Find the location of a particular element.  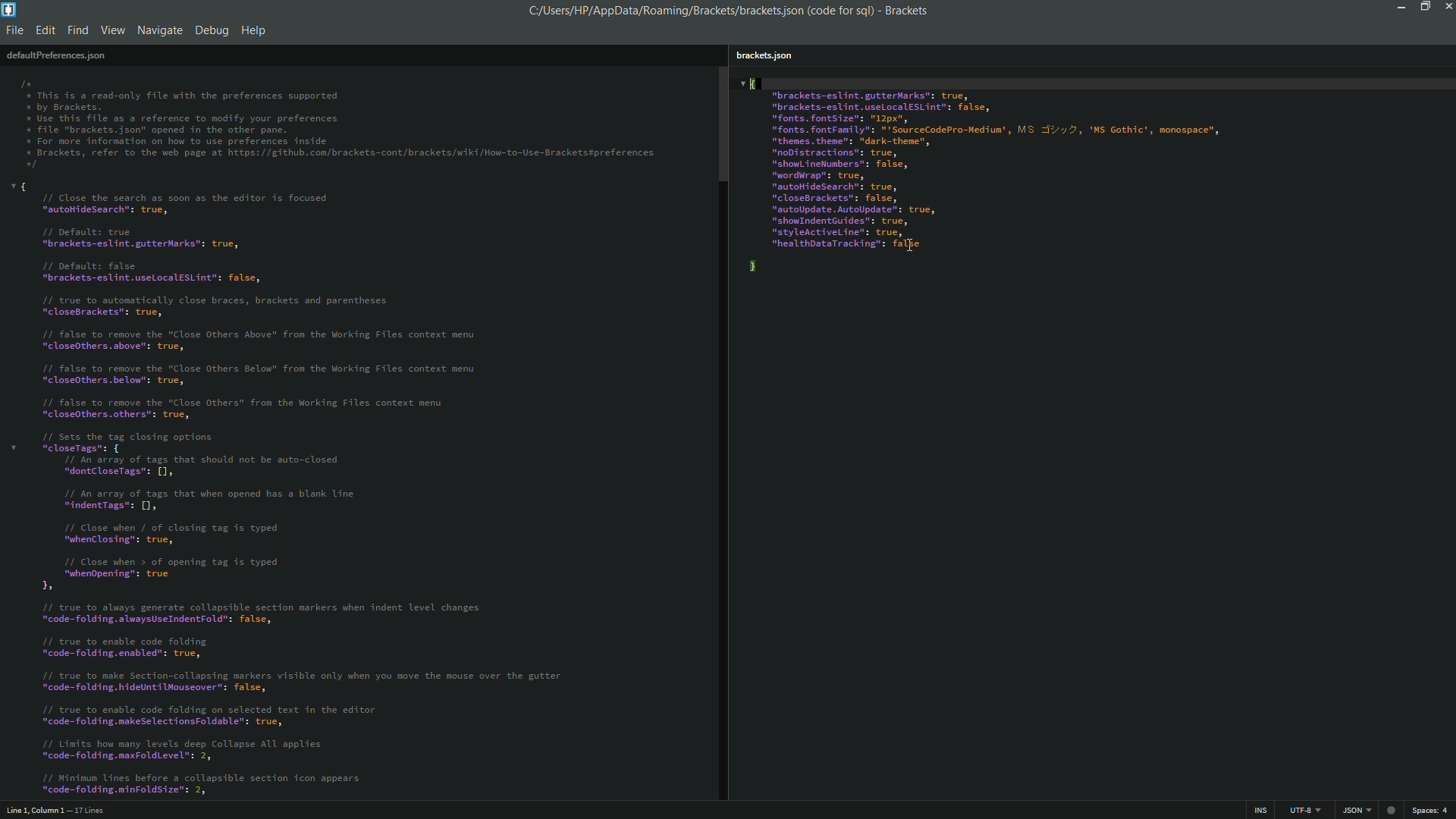

Close app is located at coordinates (1447, 6).